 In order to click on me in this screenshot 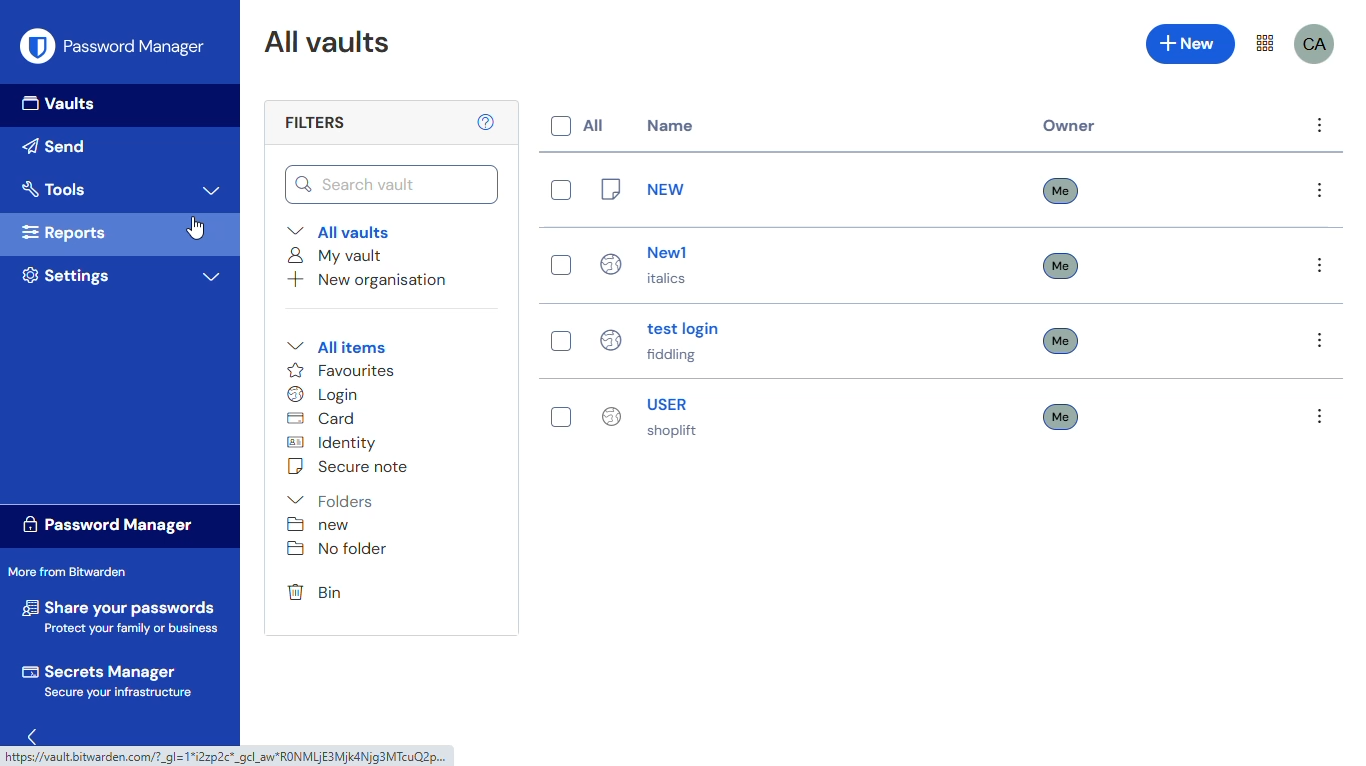, I will do `click(1061, 266)`.